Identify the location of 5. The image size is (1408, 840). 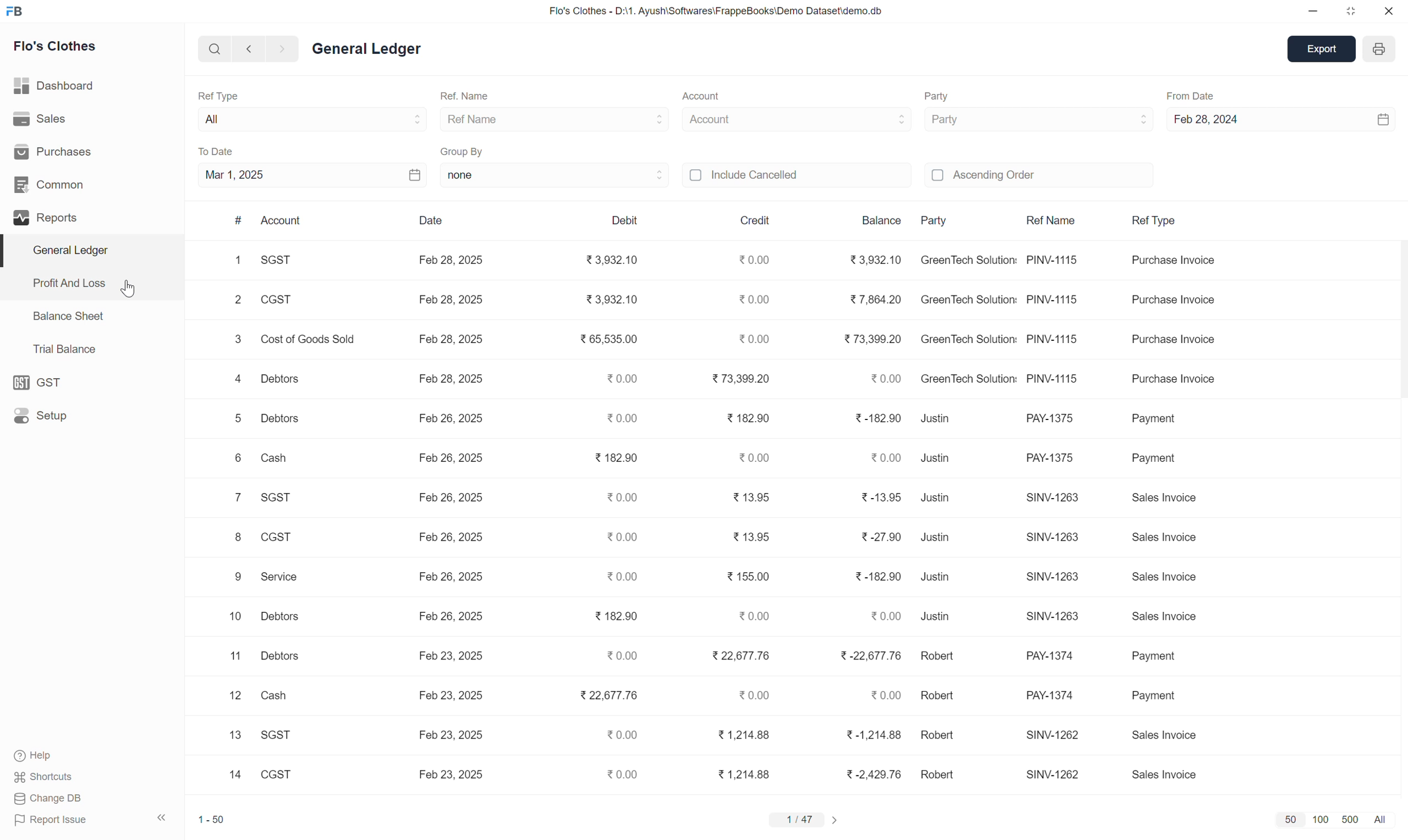
(235, 421).